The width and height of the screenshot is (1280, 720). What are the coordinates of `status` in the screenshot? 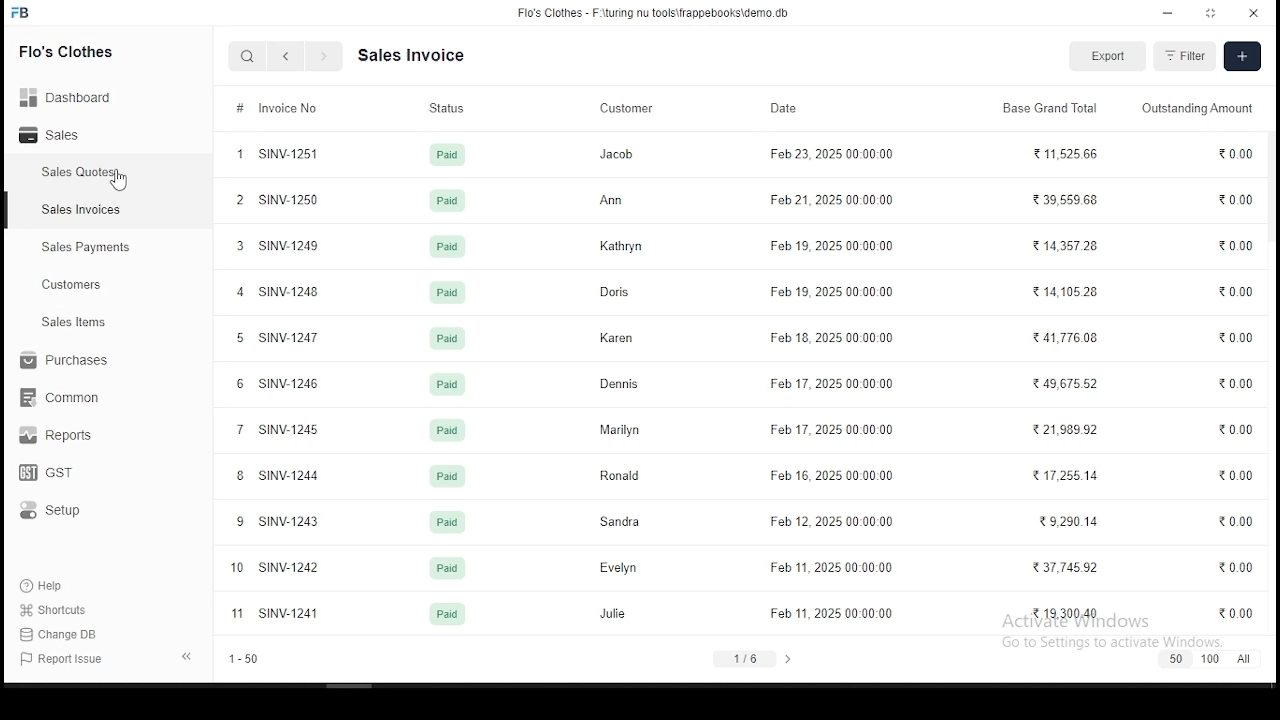 It's located at (454, 111).